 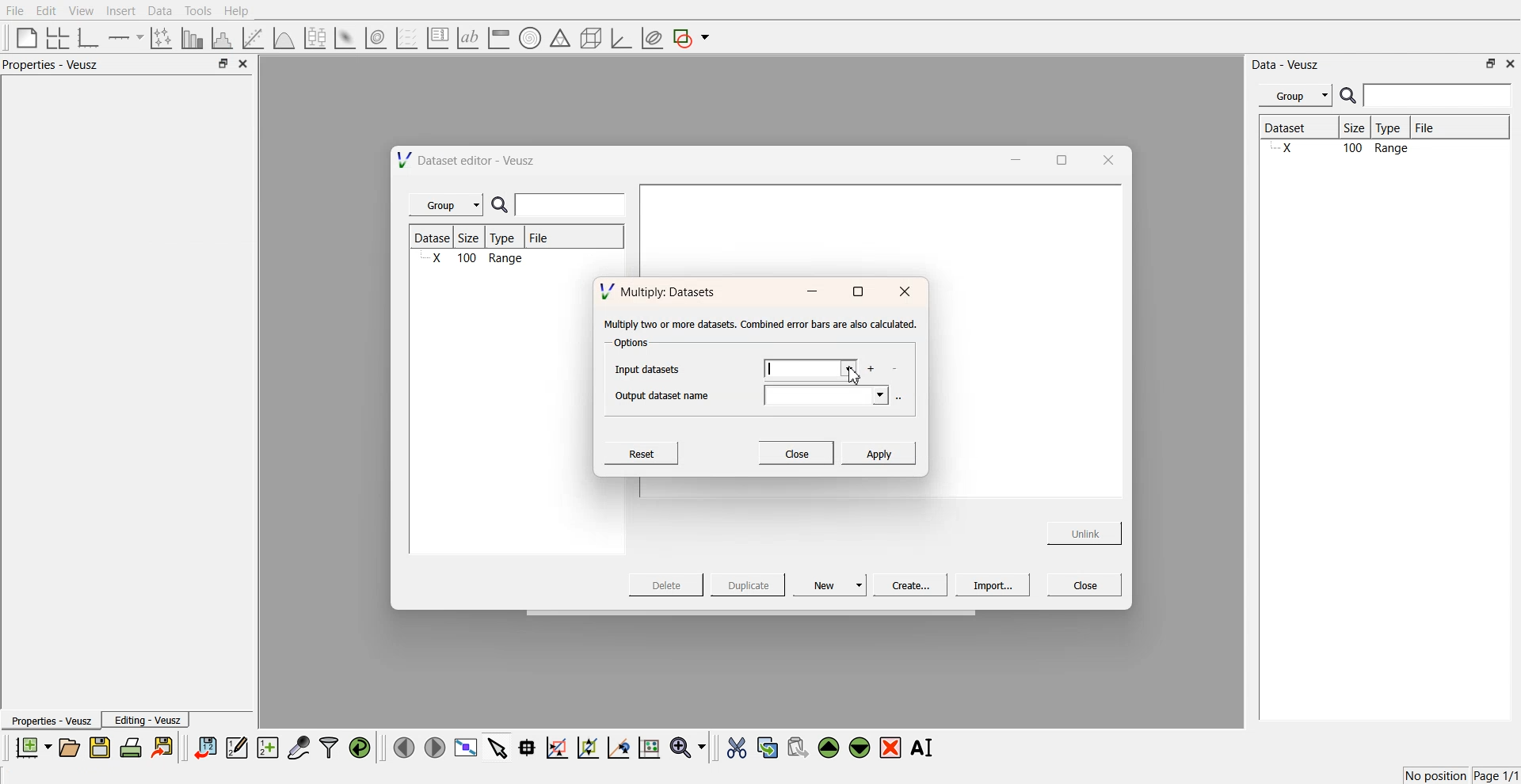 I want to click on maximise, so click(x=857, y=292).